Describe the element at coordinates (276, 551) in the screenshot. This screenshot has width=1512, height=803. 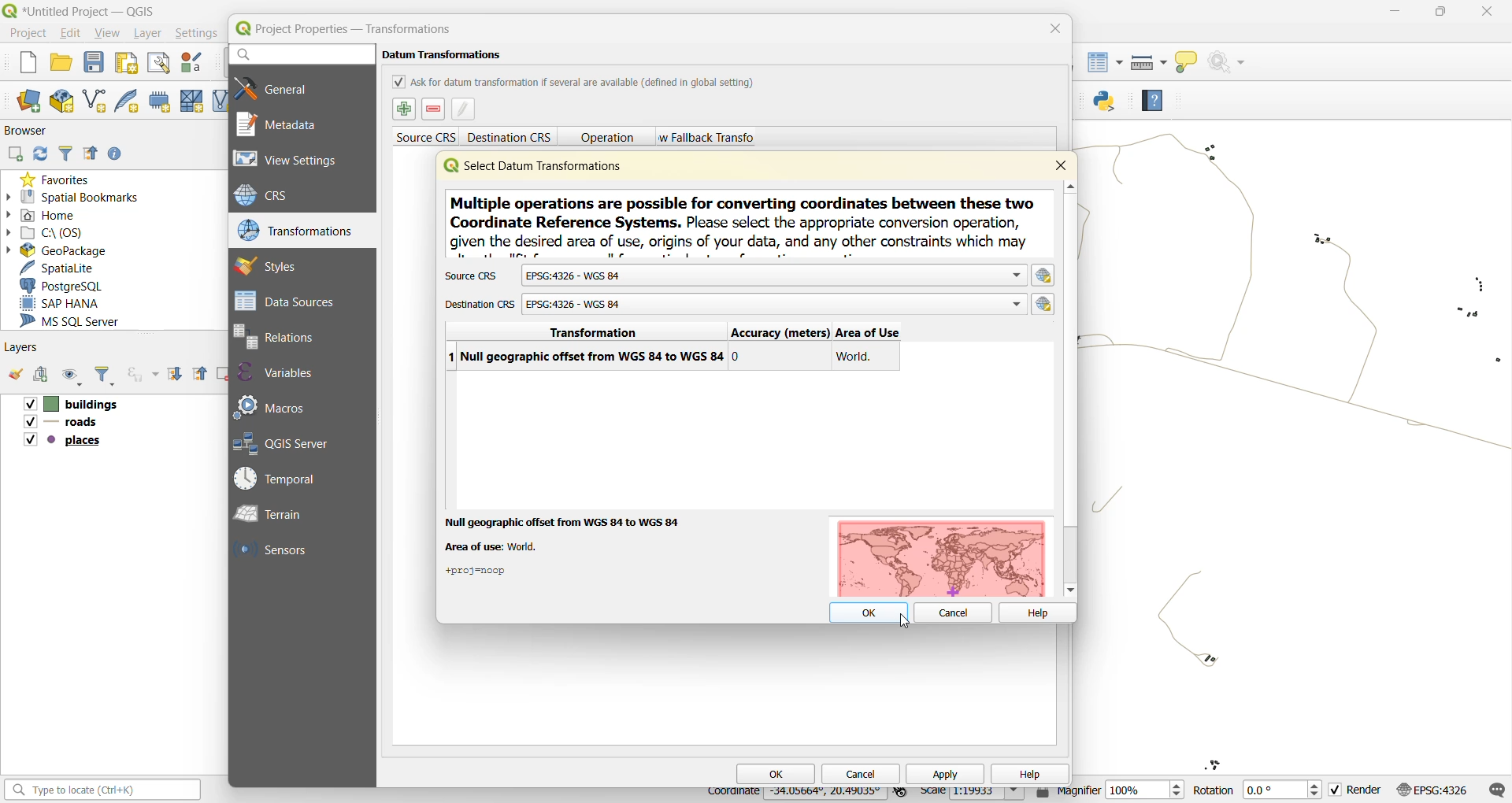
I see `sensors` at that location.